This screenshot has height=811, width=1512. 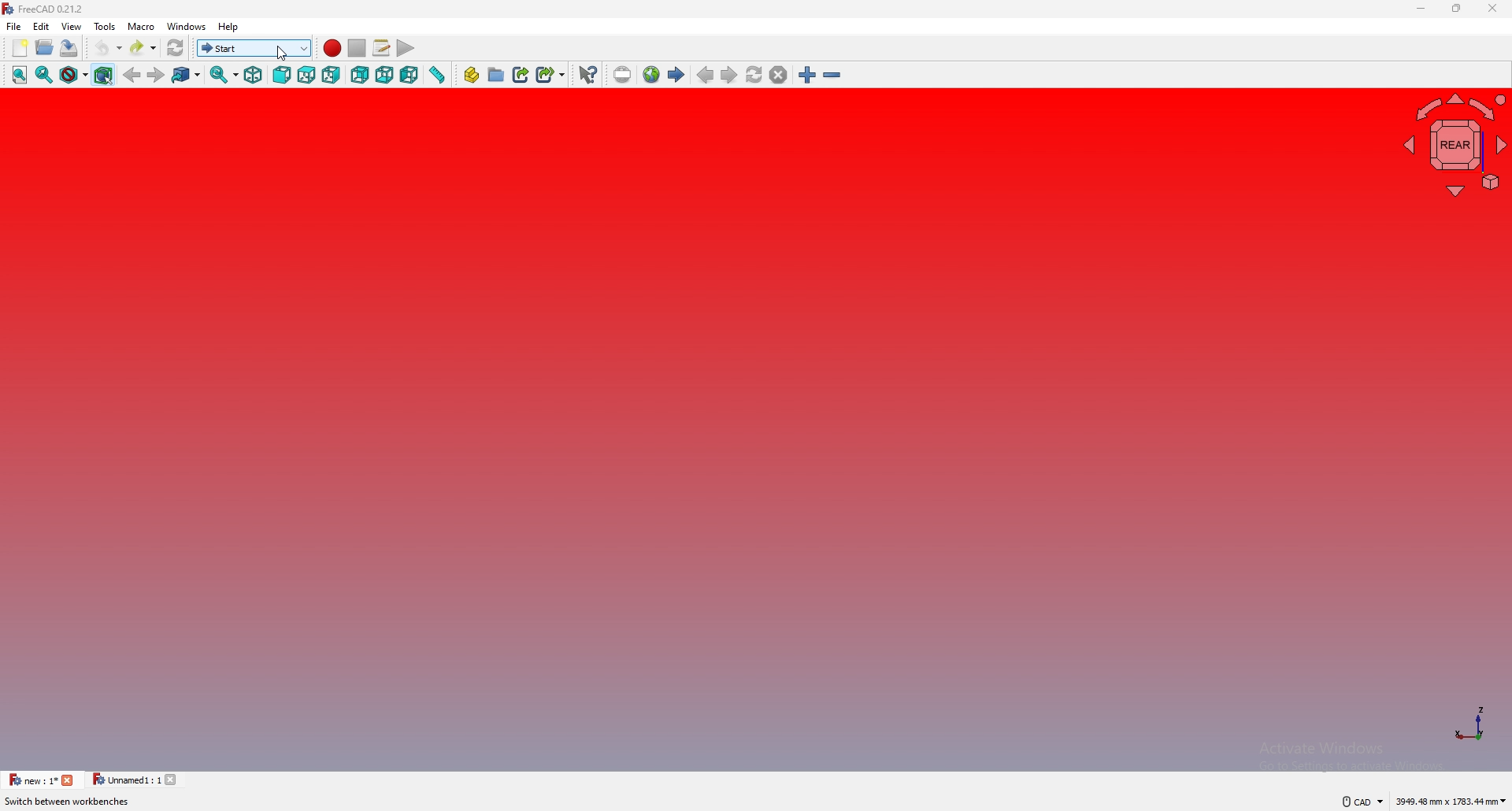 I want to click on CAD, so click(x=1358, y=801).